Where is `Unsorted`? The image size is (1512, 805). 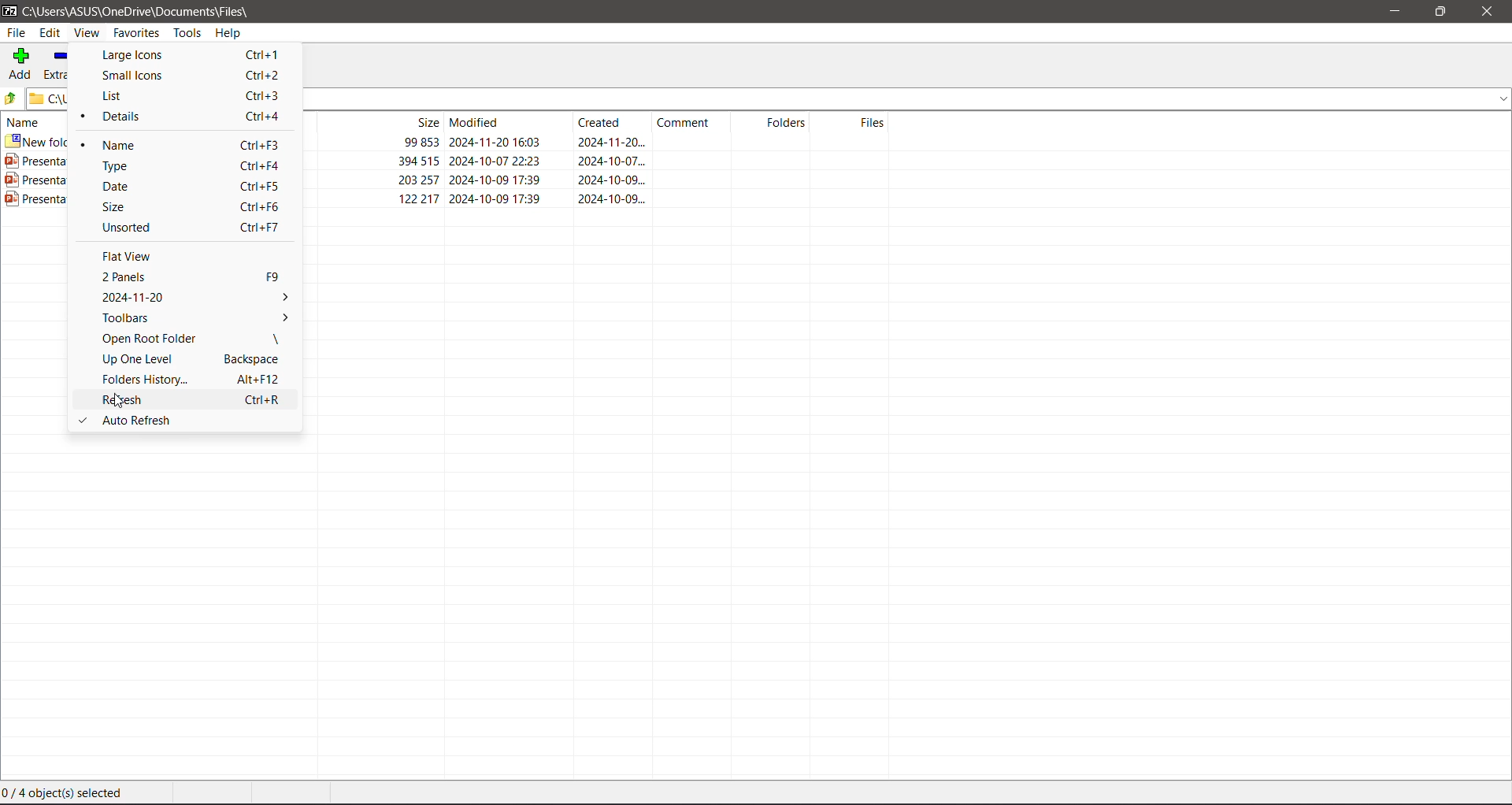
Unsorted is located at coordinates (146, 226).